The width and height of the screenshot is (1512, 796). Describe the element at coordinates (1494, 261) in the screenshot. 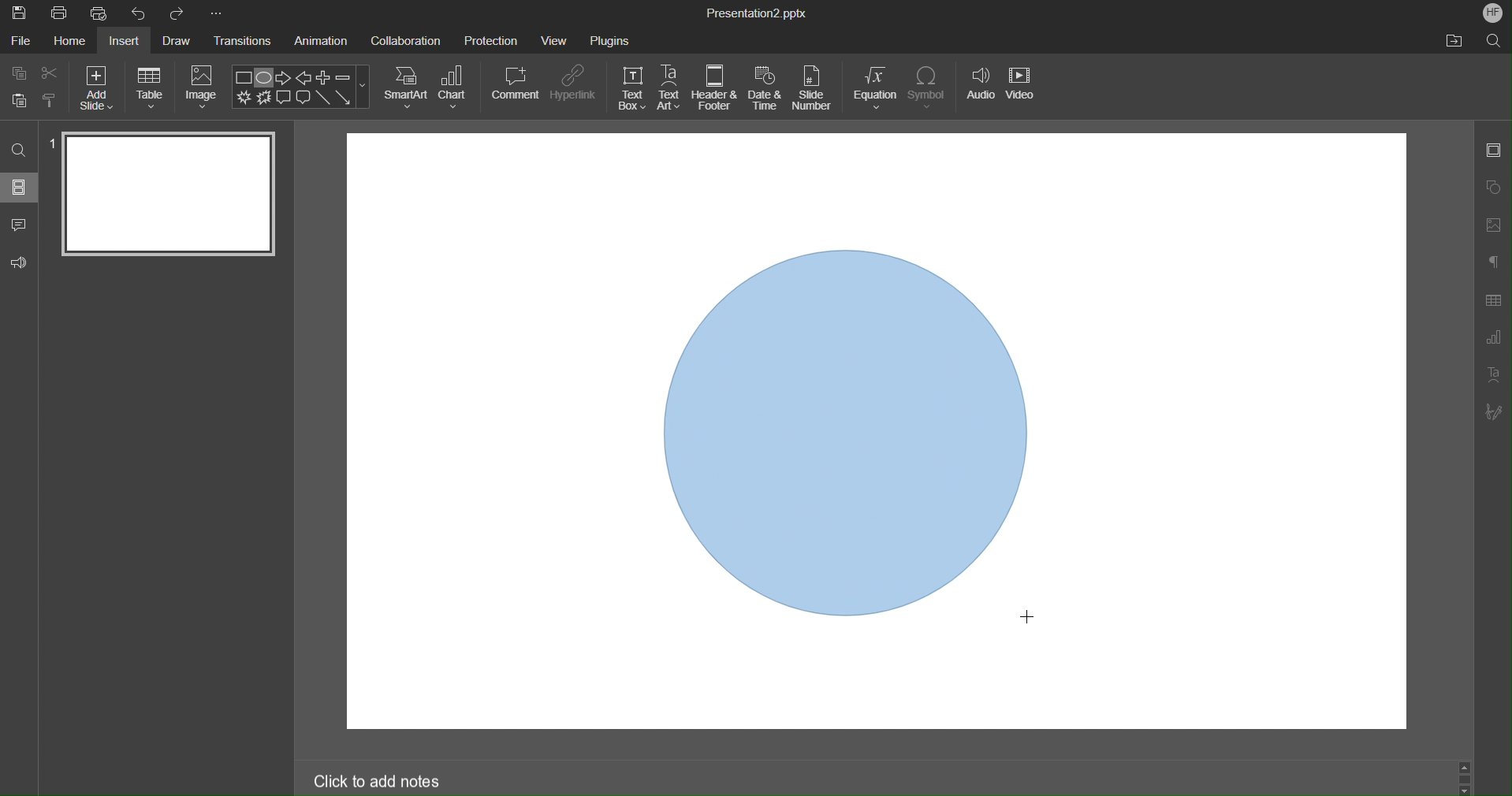

I see `Paragraphs` at that location.